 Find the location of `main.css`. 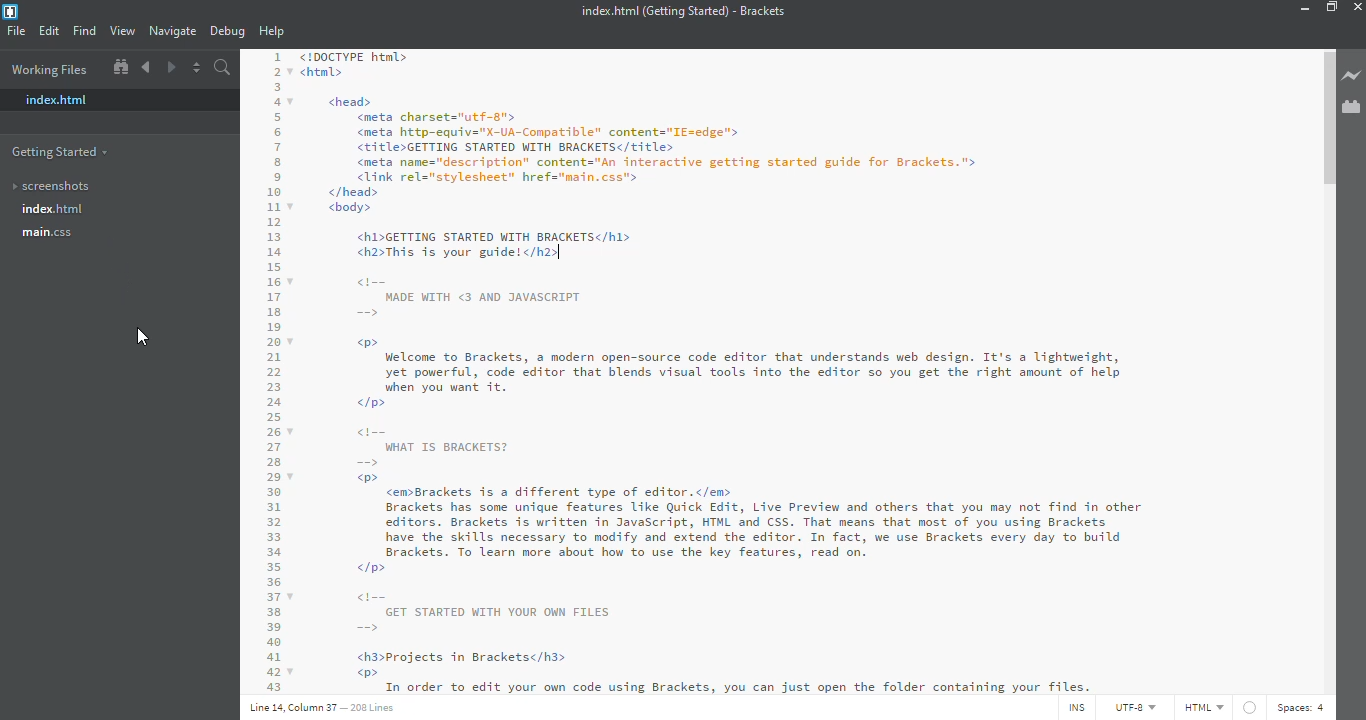

main.css is located at coordinates (61, 236).